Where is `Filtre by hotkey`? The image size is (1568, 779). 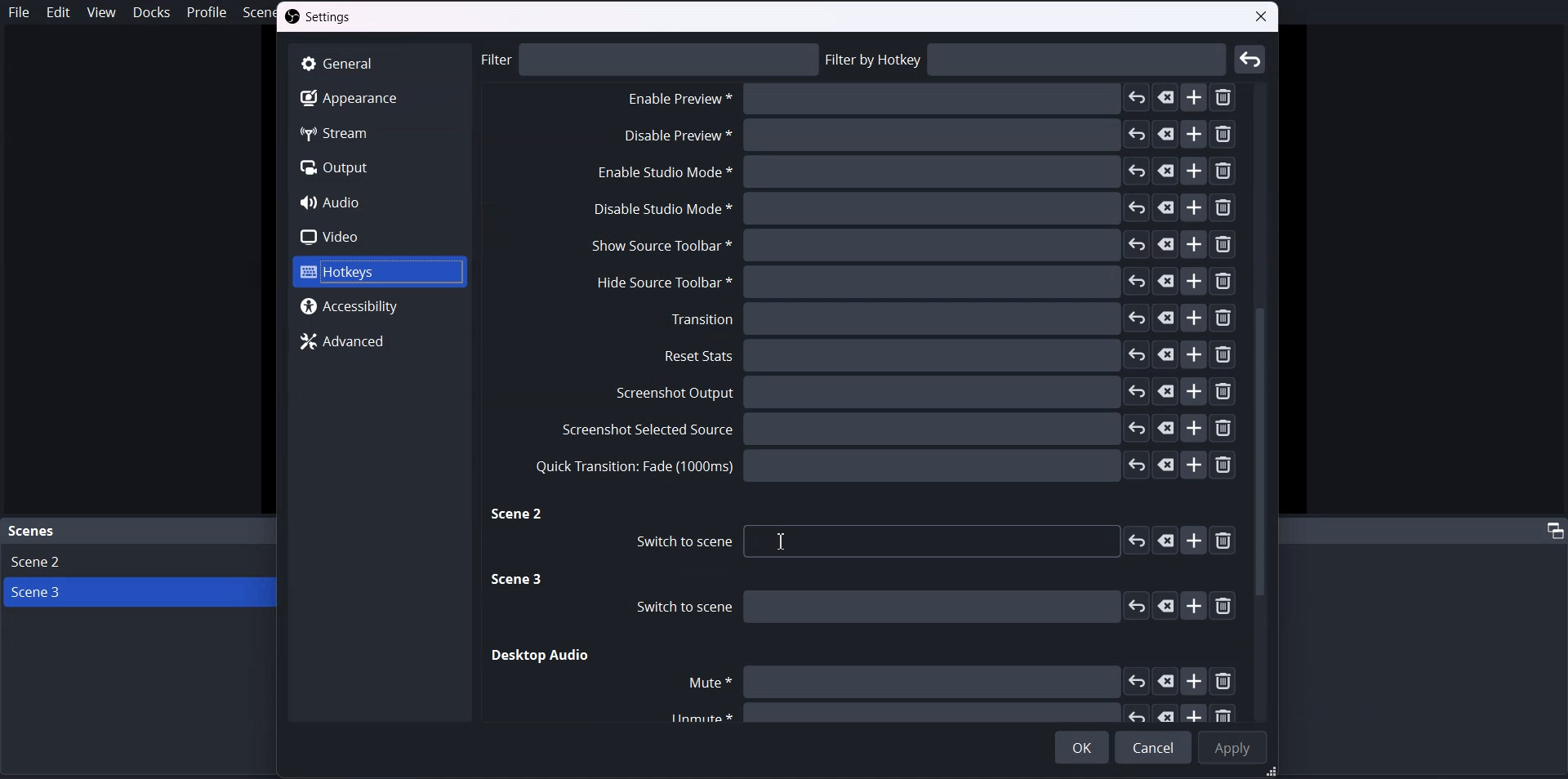 Filtre by hotkey is located at coordinates (1027, 60).